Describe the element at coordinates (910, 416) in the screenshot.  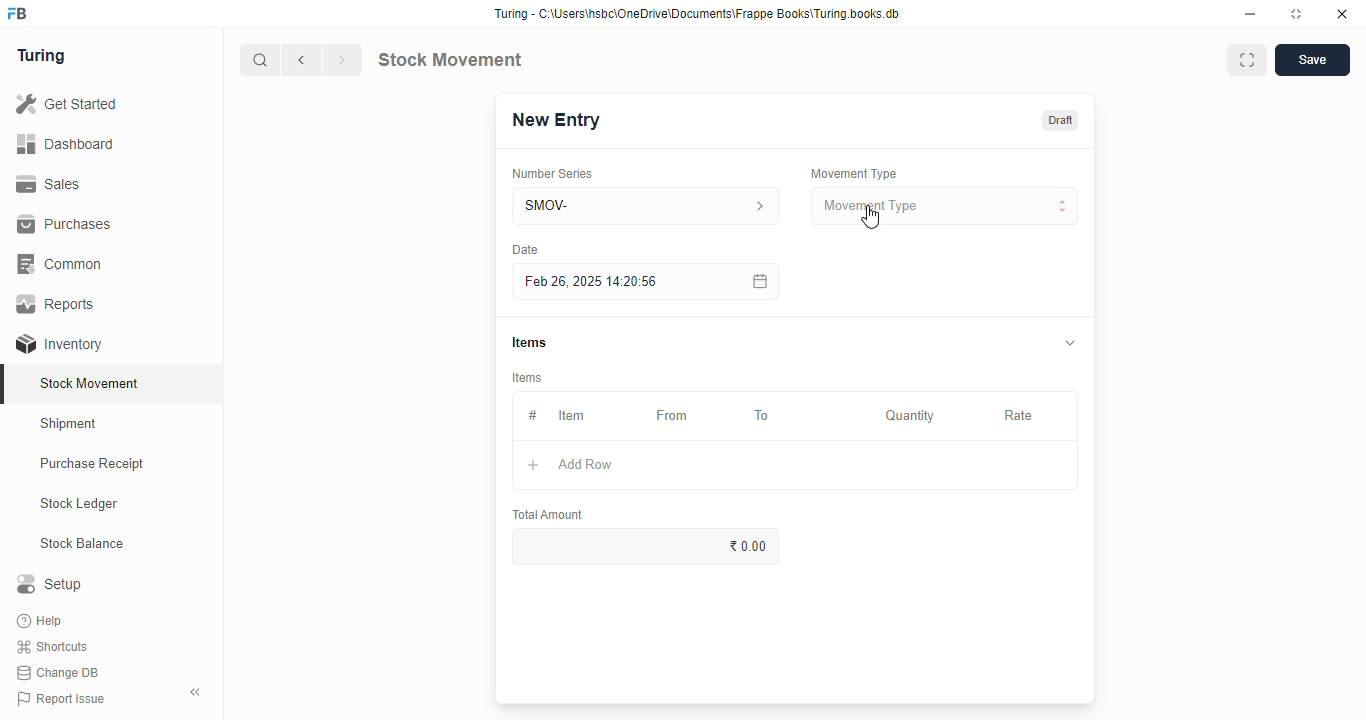
I see `quantity` at that location.